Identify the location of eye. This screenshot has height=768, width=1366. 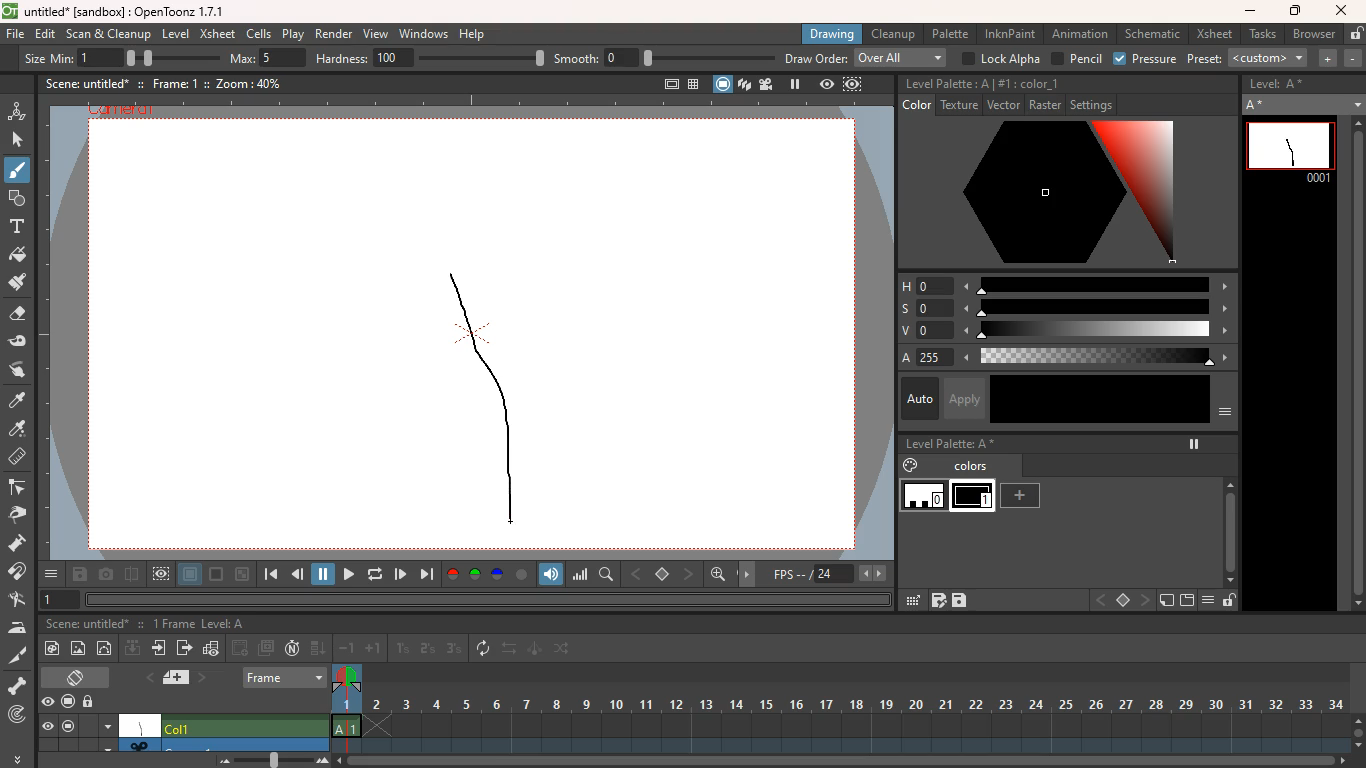
(49, 703).